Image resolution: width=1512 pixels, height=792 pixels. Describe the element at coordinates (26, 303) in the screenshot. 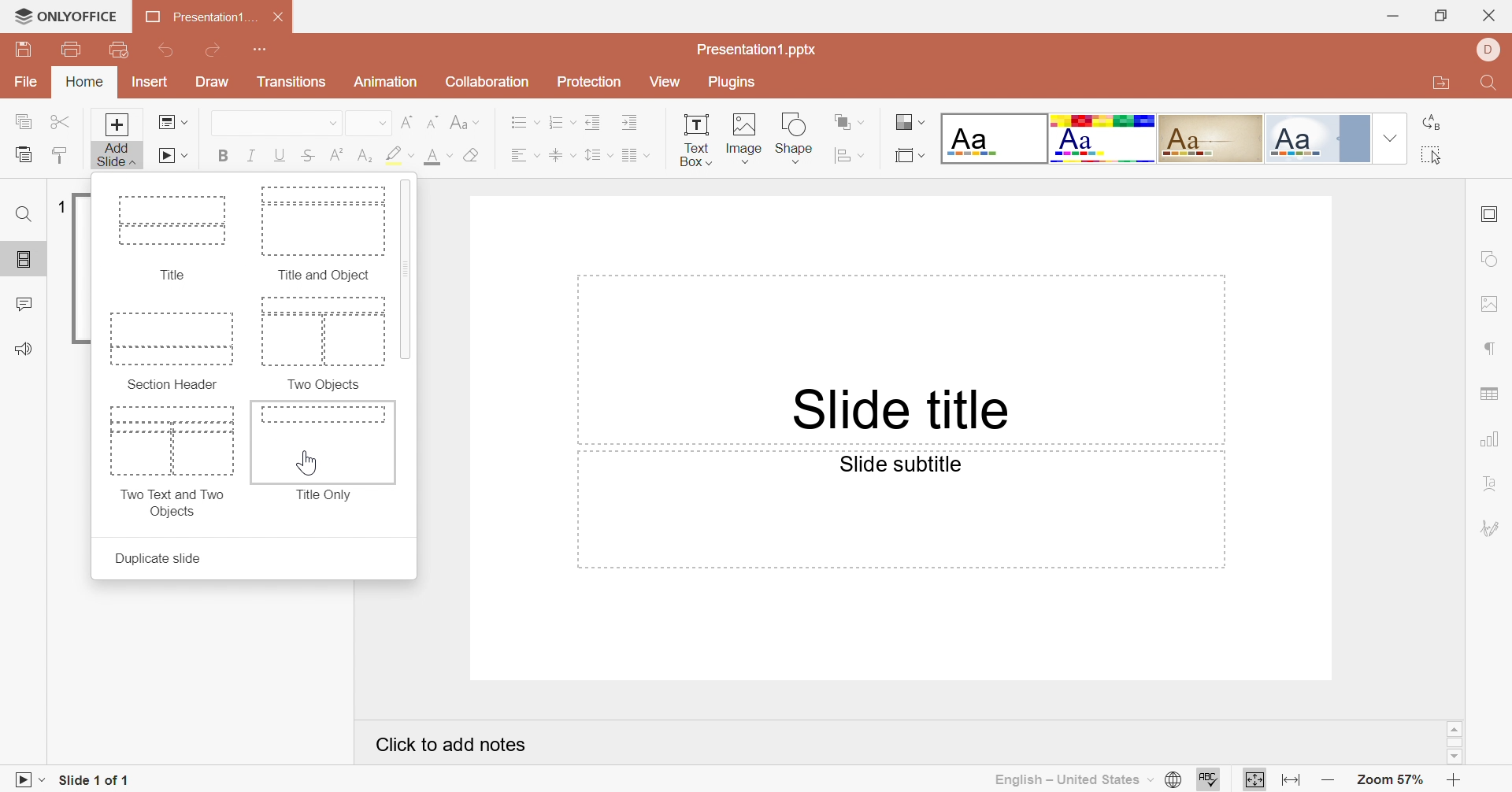

I see `Comments` at that location.